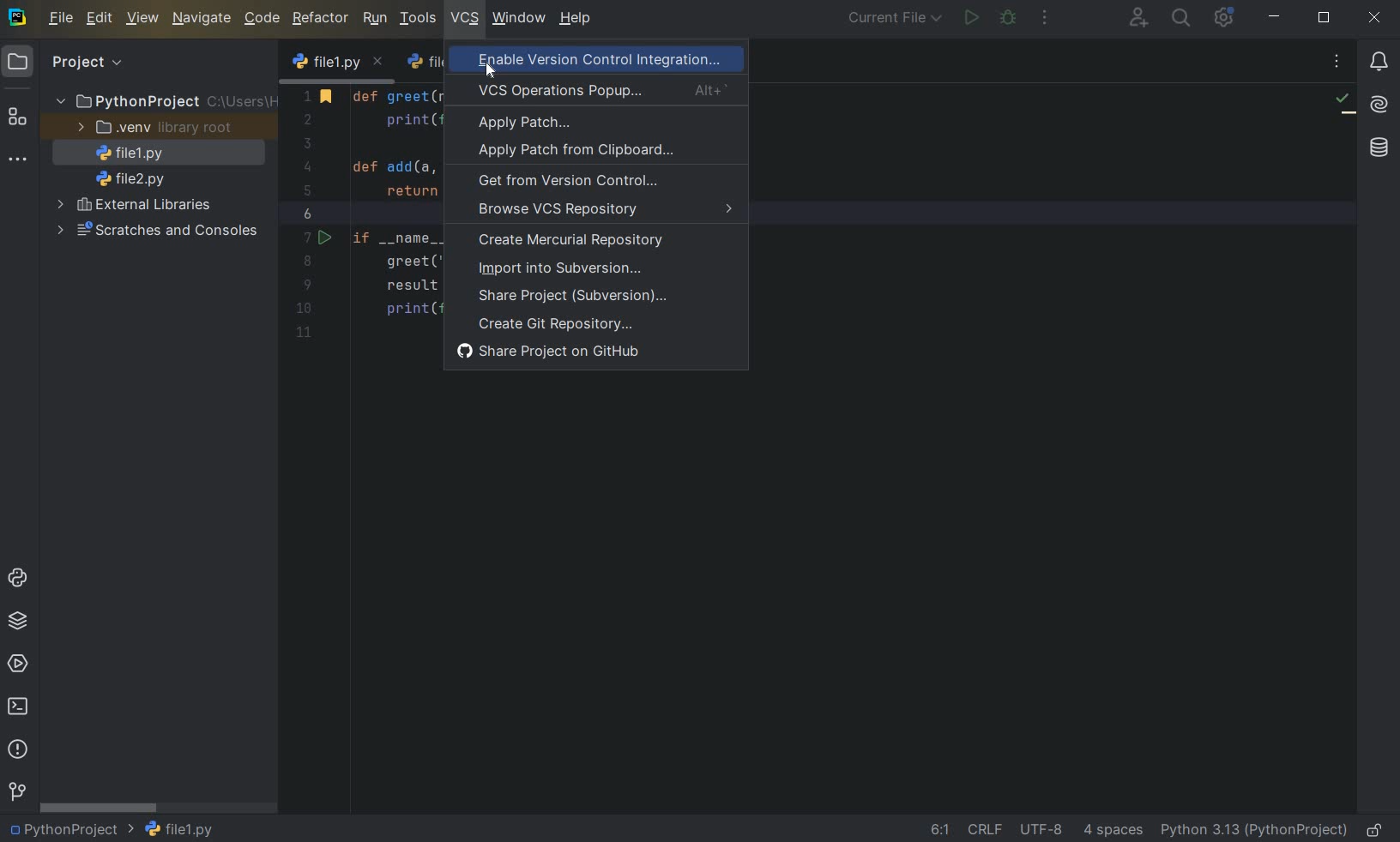  I want to click on system logo, so click(18, 18).